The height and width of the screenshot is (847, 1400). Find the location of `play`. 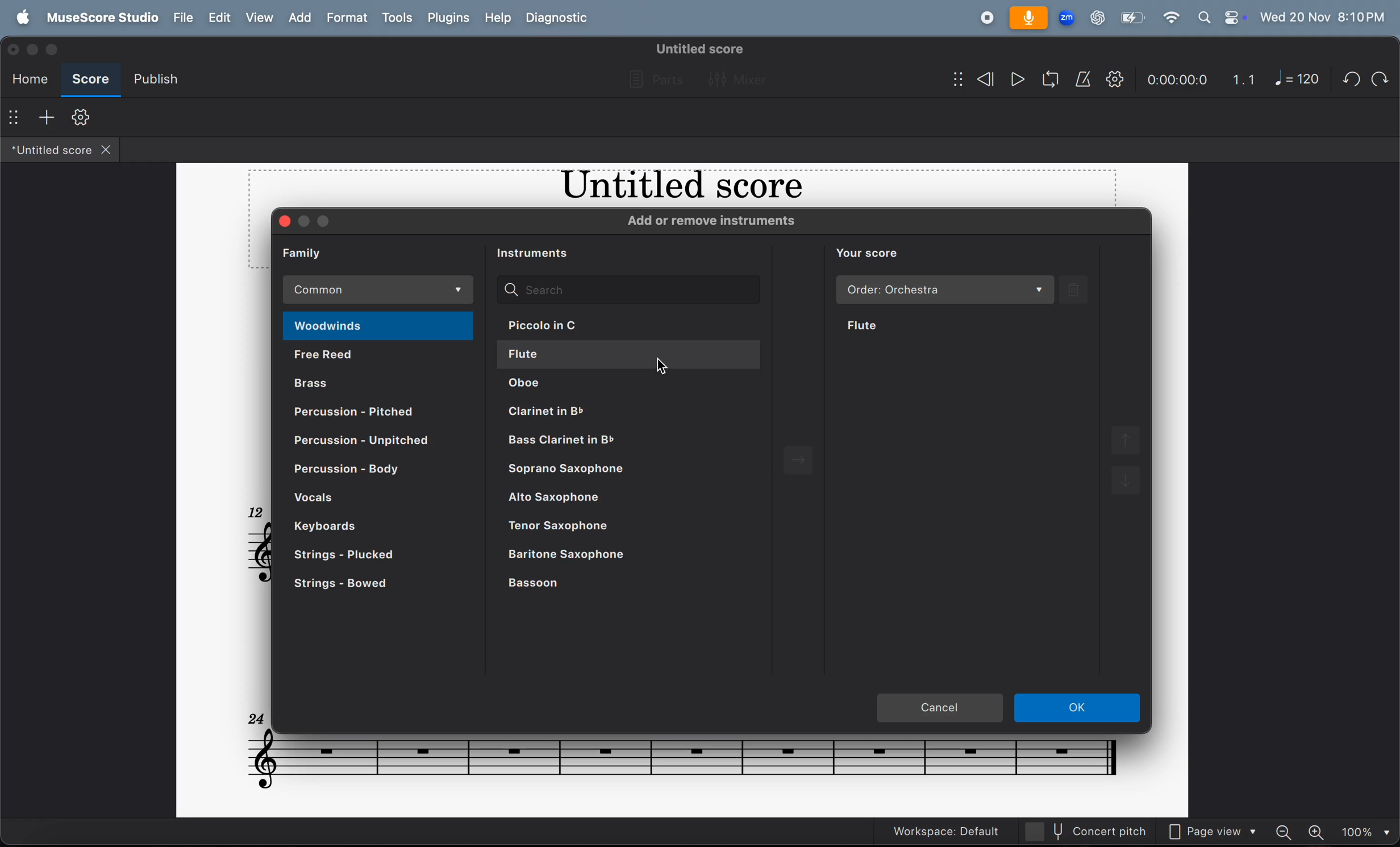

play is located at coordinates (1014, 78).